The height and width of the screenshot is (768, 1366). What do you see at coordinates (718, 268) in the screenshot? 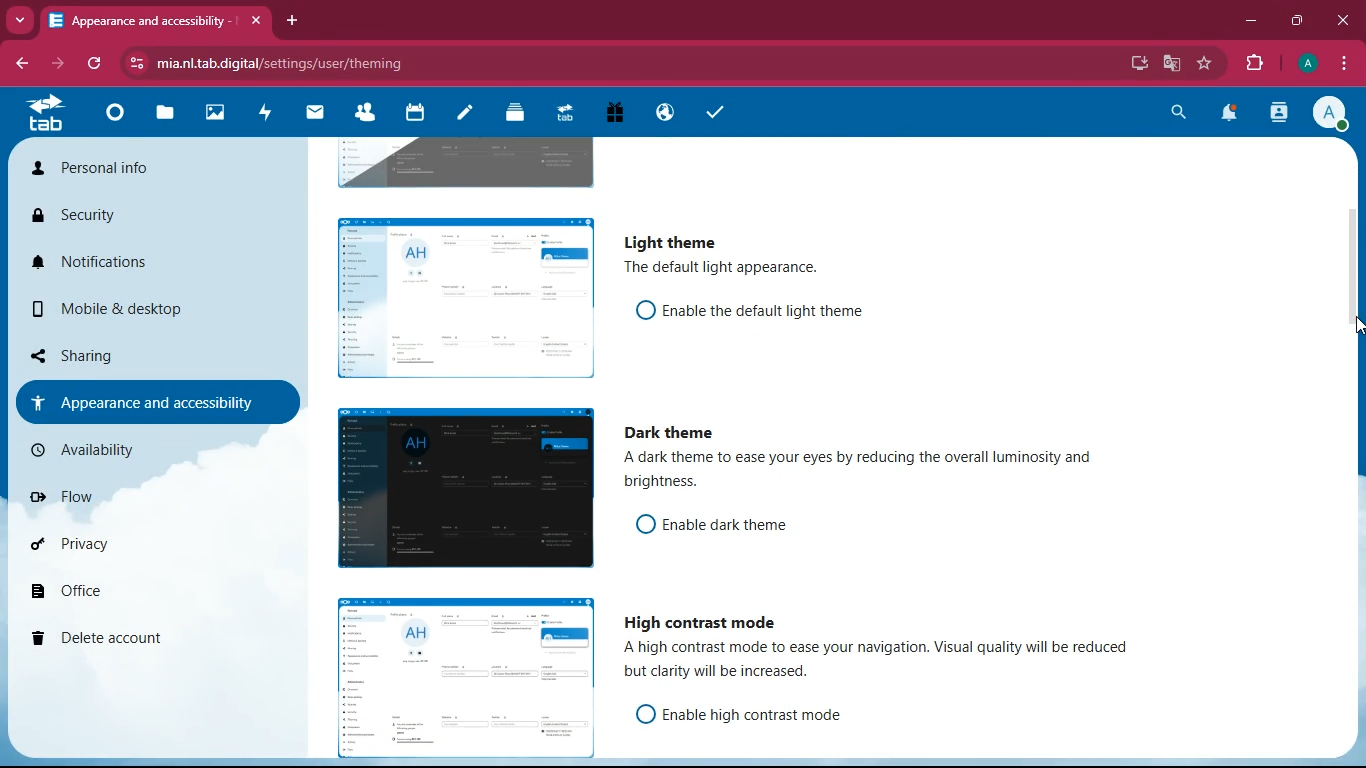
I see `description` at bounding box center [718, 268].